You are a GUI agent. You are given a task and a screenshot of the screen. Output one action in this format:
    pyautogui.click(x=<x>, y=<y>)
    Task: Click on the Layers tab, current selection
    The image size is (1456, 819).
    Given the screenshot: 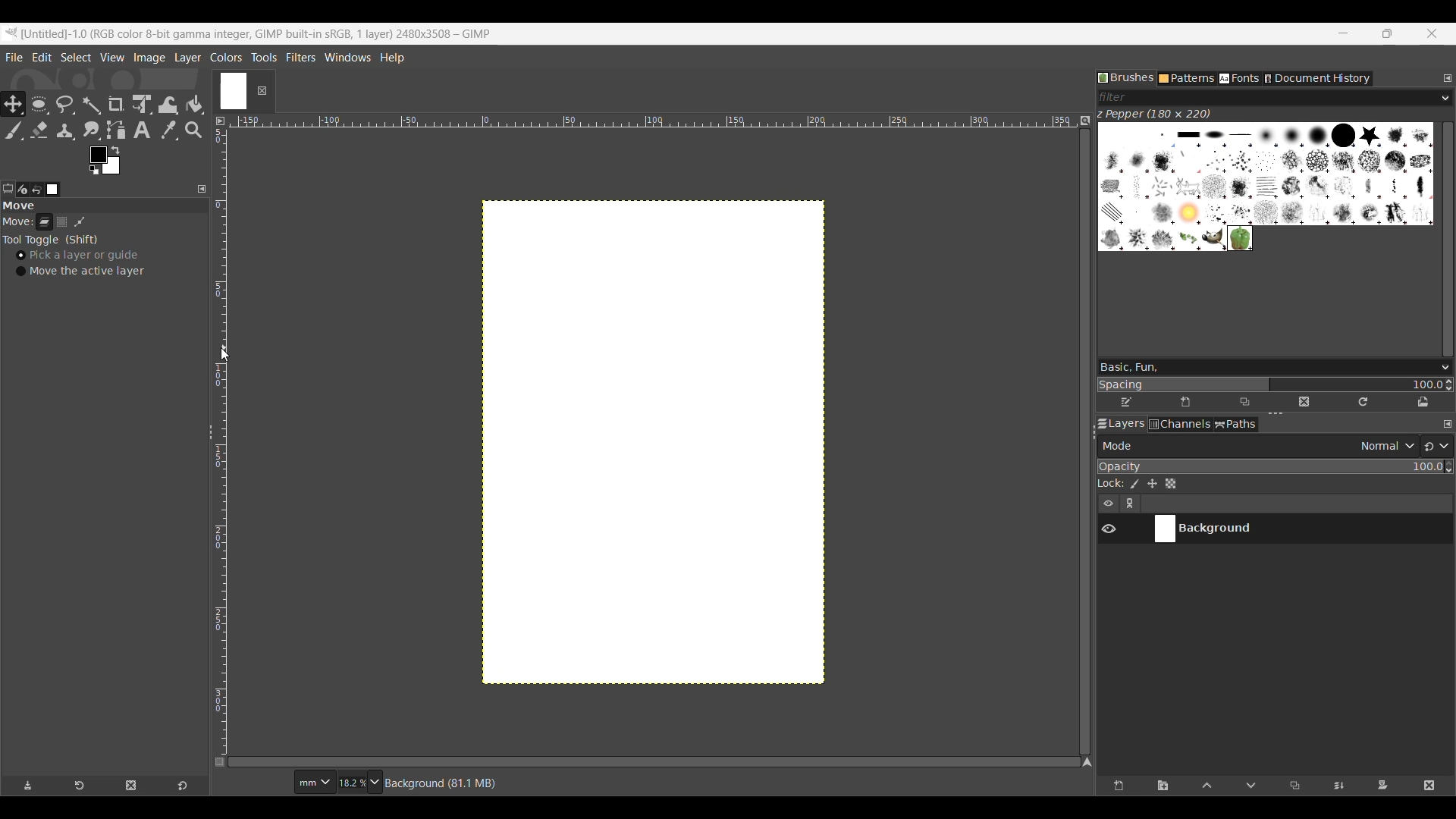 What is the action you would take?
    pyautogui.click(x=1118, y=425)
    